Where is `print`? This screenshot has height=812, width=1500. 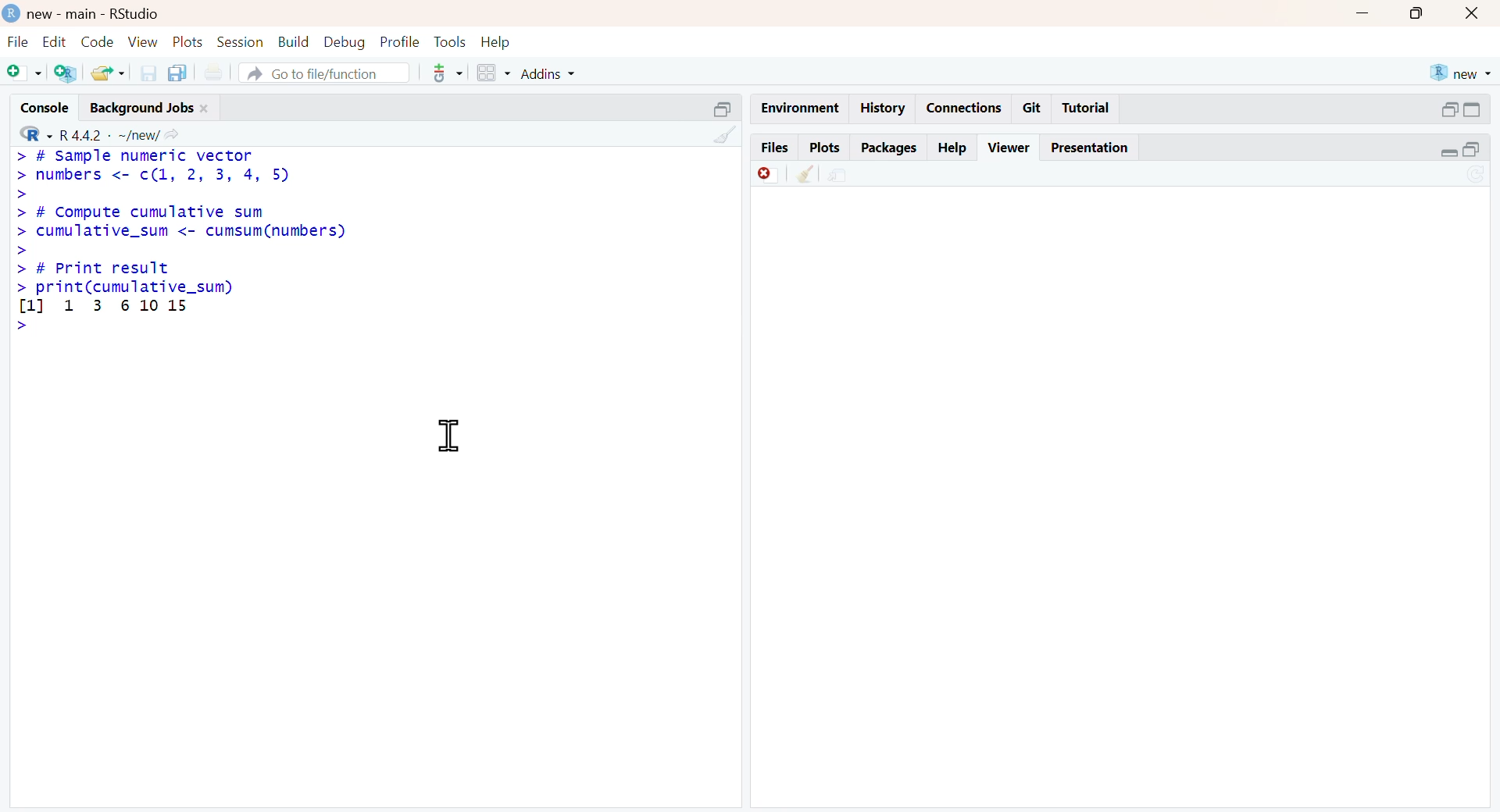 print is located at coordinates (214, 72).